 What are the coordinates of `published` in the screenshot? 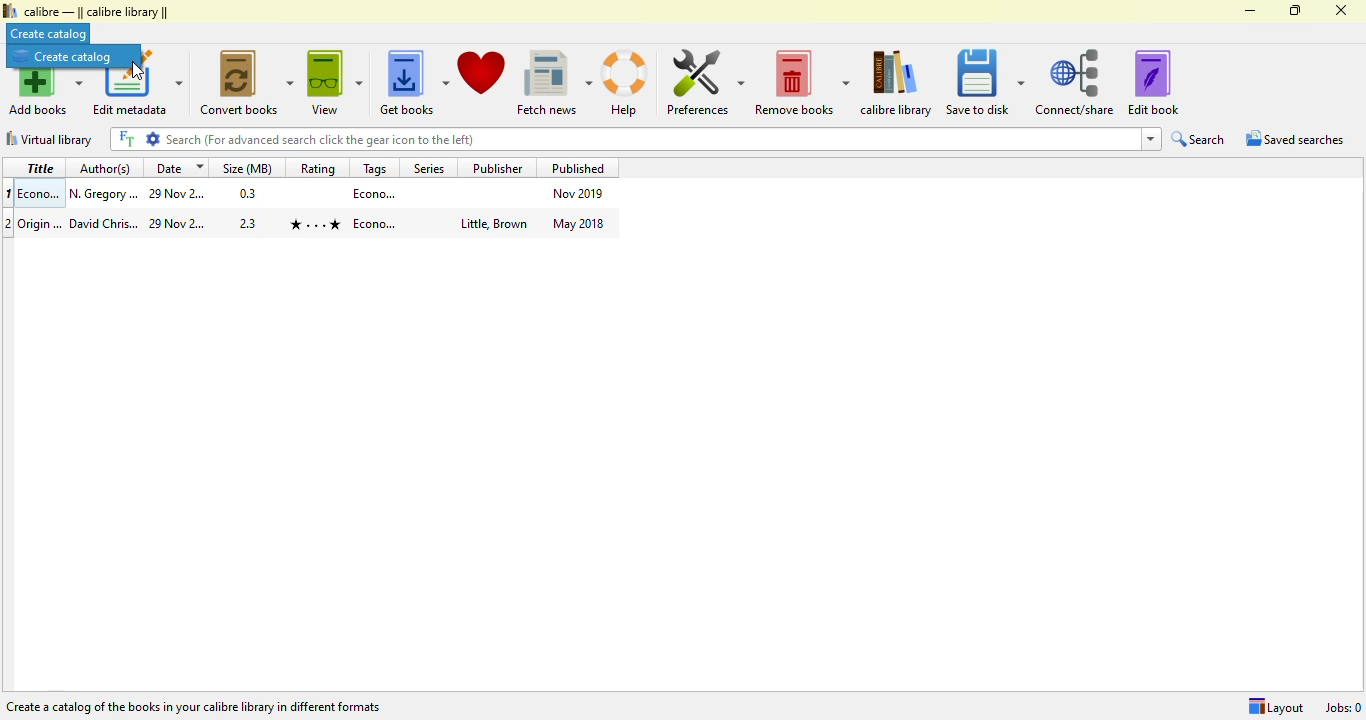 It's located at (579, 167).